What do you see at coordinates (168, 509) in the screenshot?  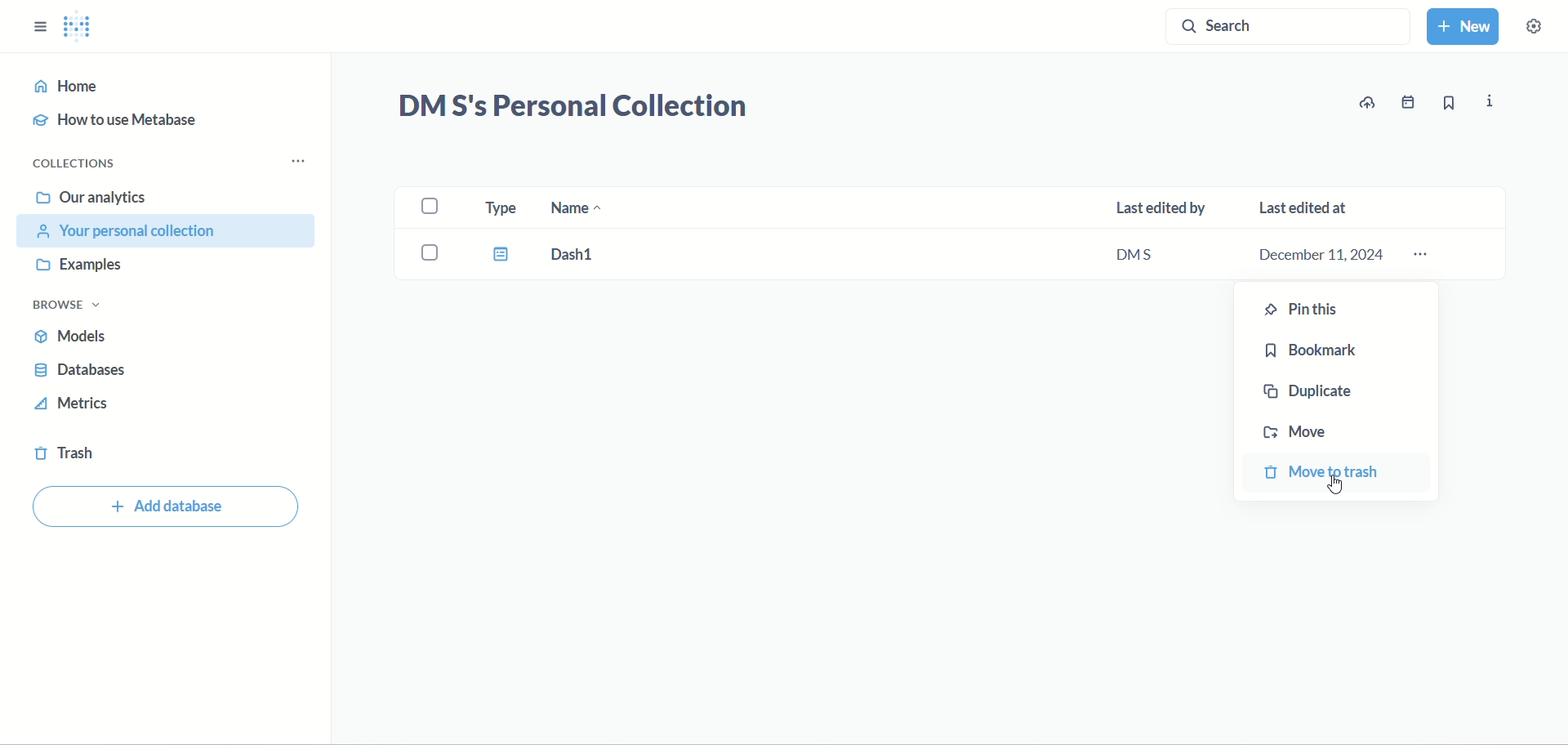 I see `add database` at bounding box center [168, 509].